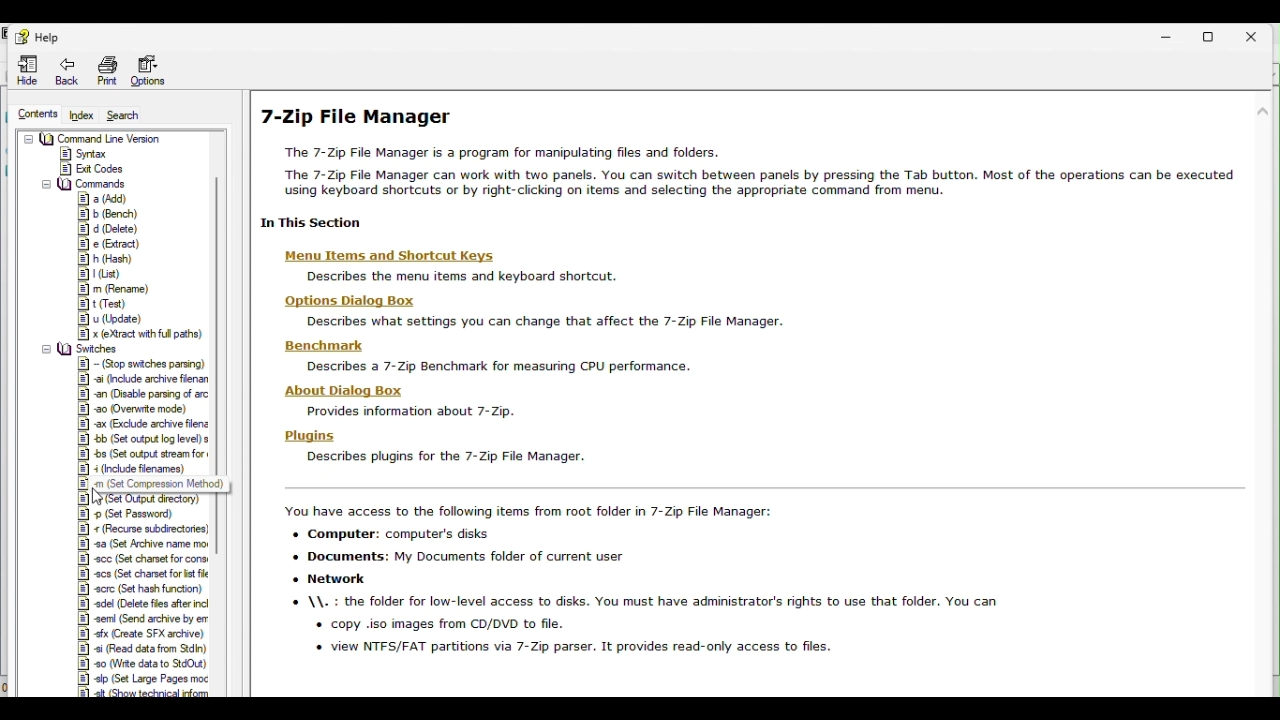 This screenshot has width=1280, height=720. Describe the element at coordinates (110, 244) in the screenshot. I see `extract` at that location.